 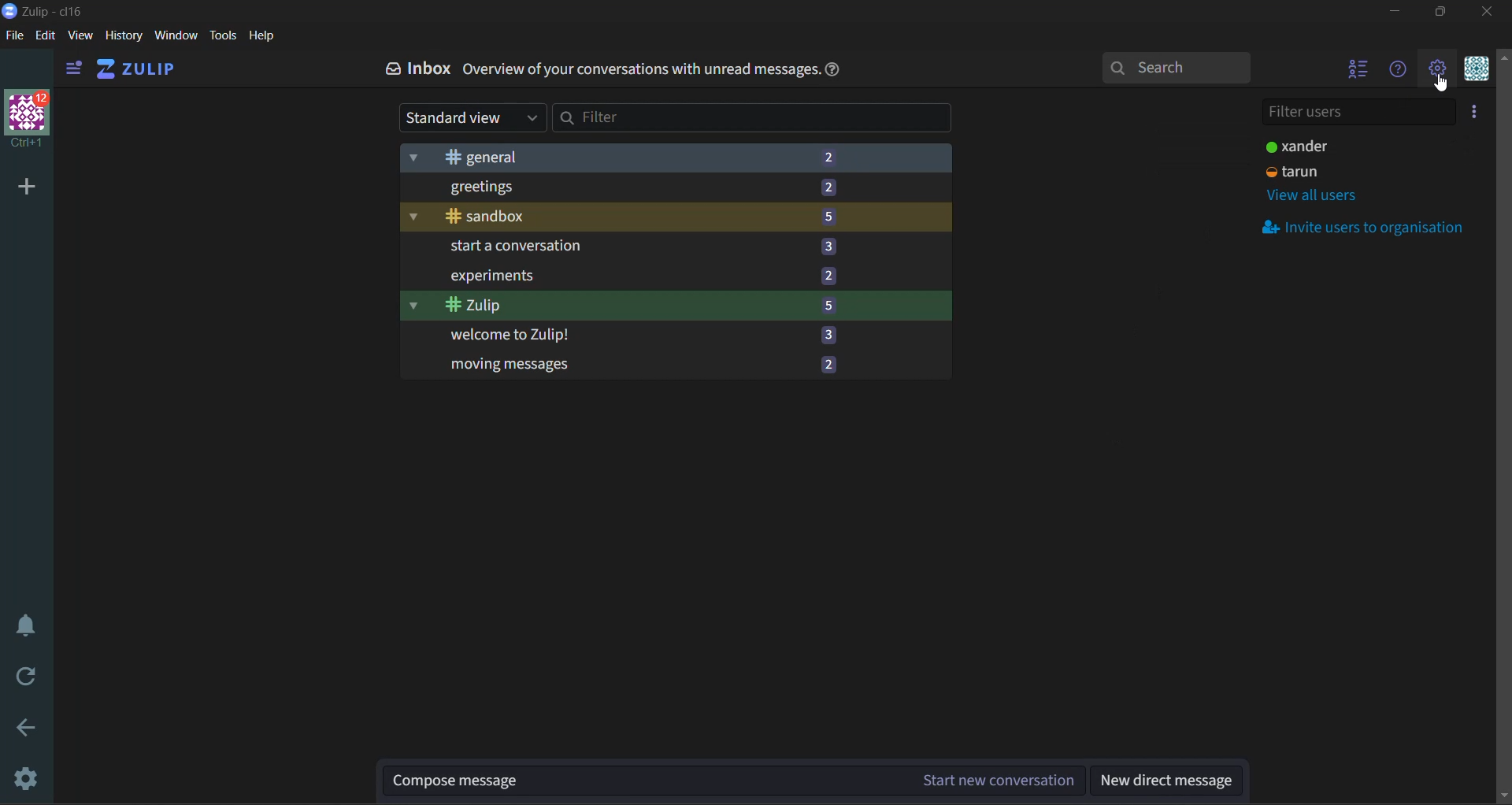 What do you see at coordinates (754, 120) in the screenshot?
I see `filter` at bounding box center [754, 120].